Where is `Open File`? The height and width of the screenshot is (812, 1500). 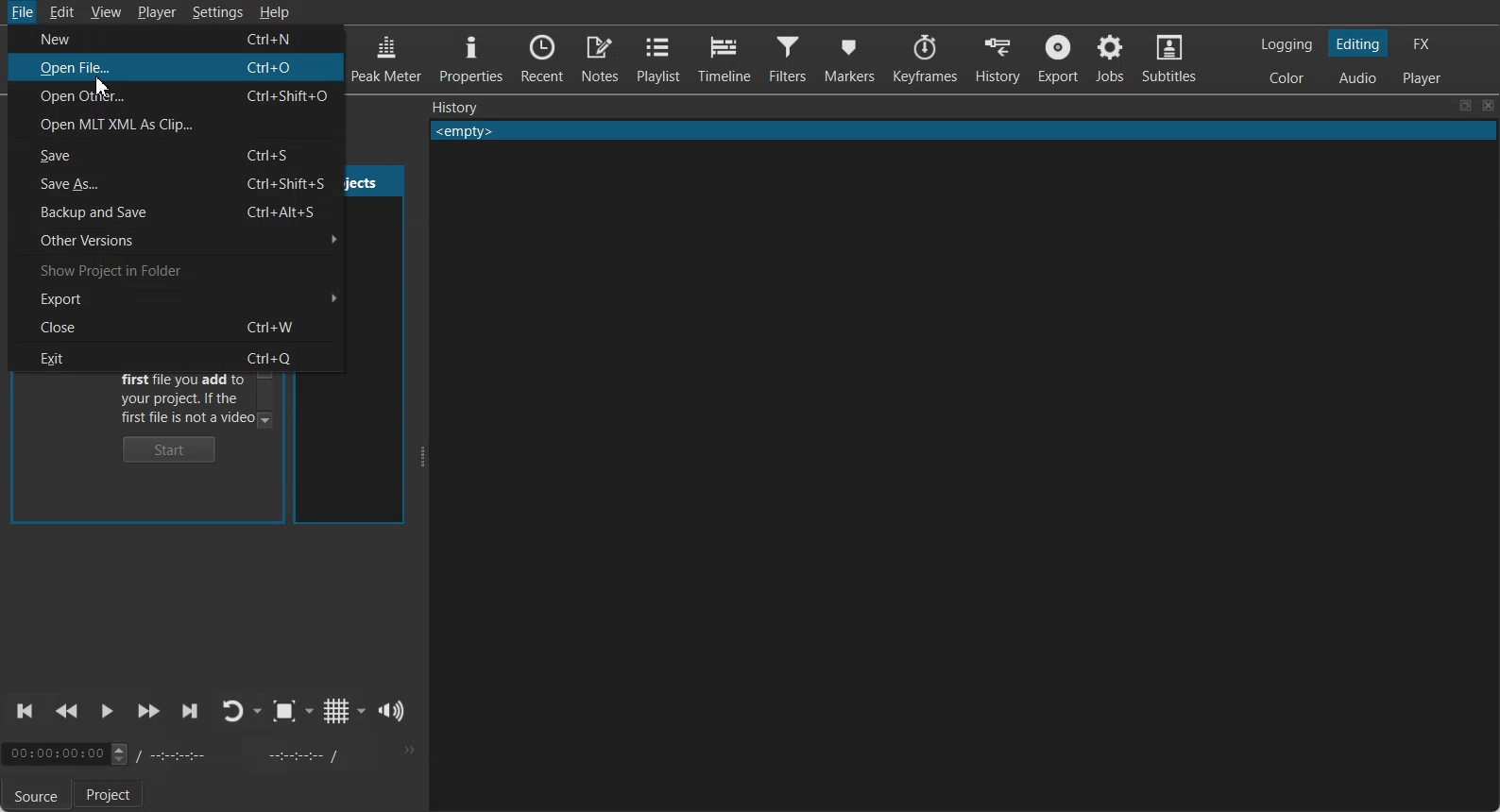 Open File is located at coordinates (88, 68).